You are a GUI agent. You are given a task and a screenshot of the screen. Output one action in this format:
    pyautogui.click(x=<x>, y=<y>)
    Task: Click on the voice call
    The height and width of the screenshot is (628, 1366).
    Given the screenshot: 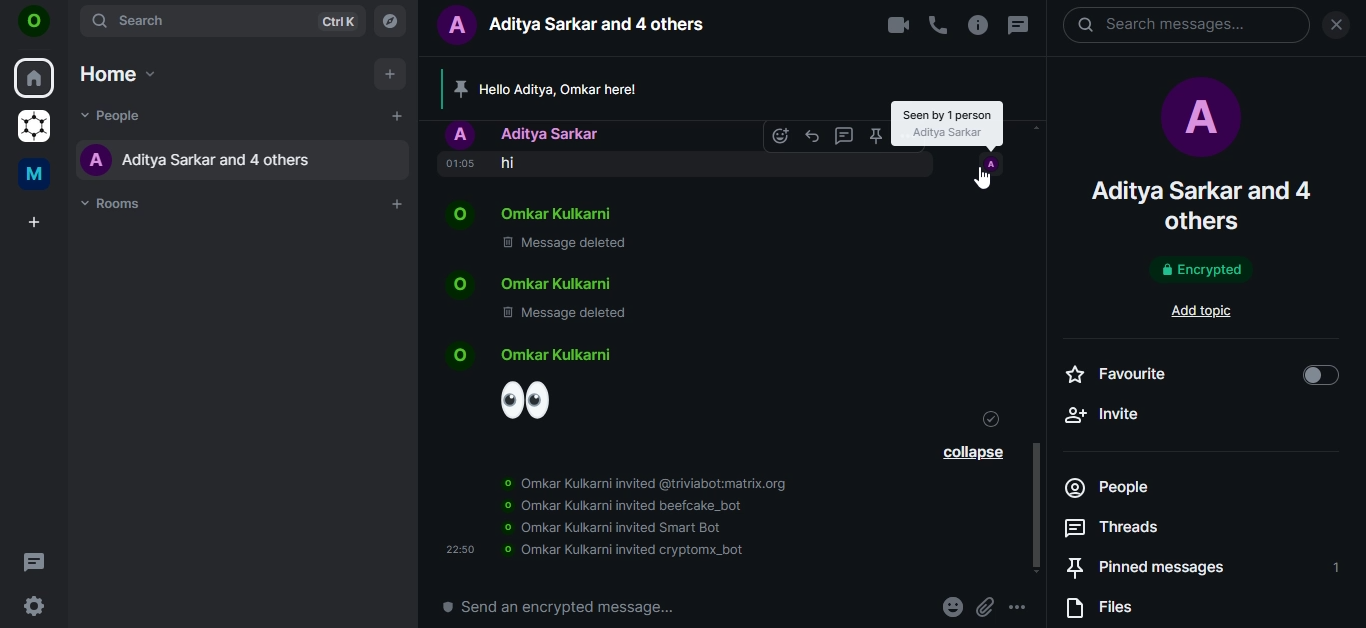 What is the action you would take?
    pyautogui.click(x=938, y=26)
    